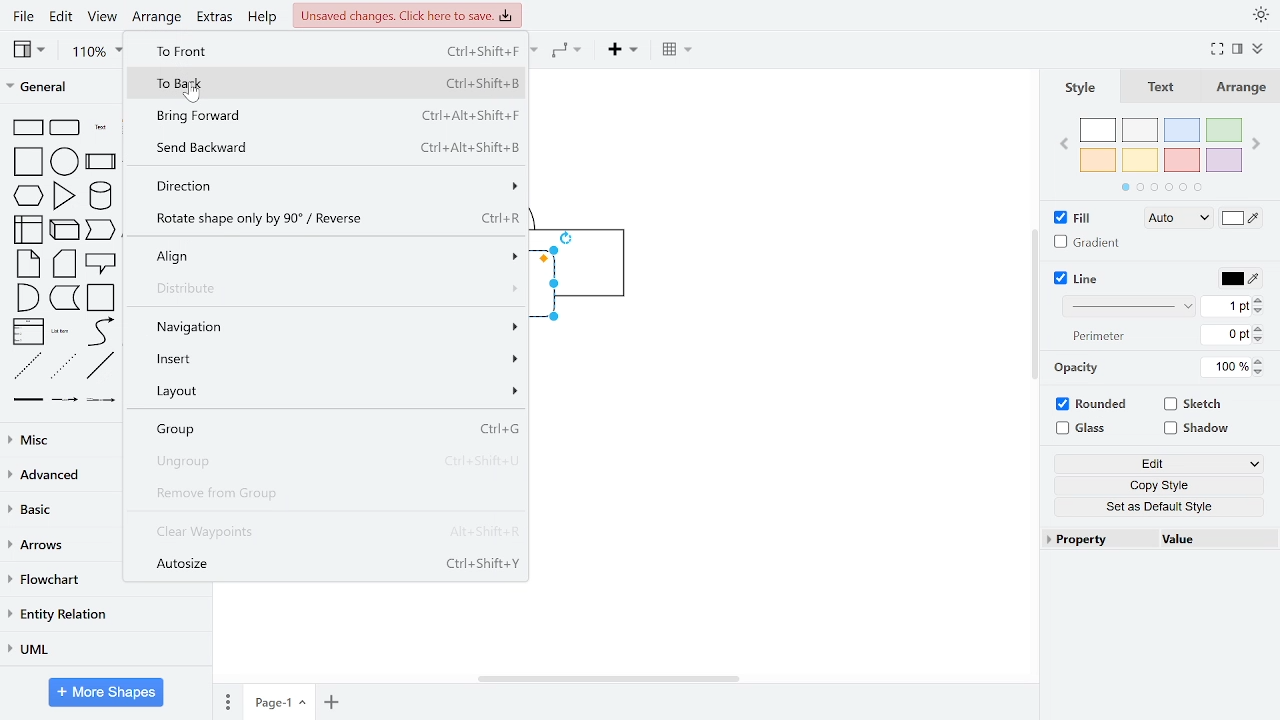 The width and height of the screenshot is (1280, 720). I want to click on glass, so click(1084, 429).